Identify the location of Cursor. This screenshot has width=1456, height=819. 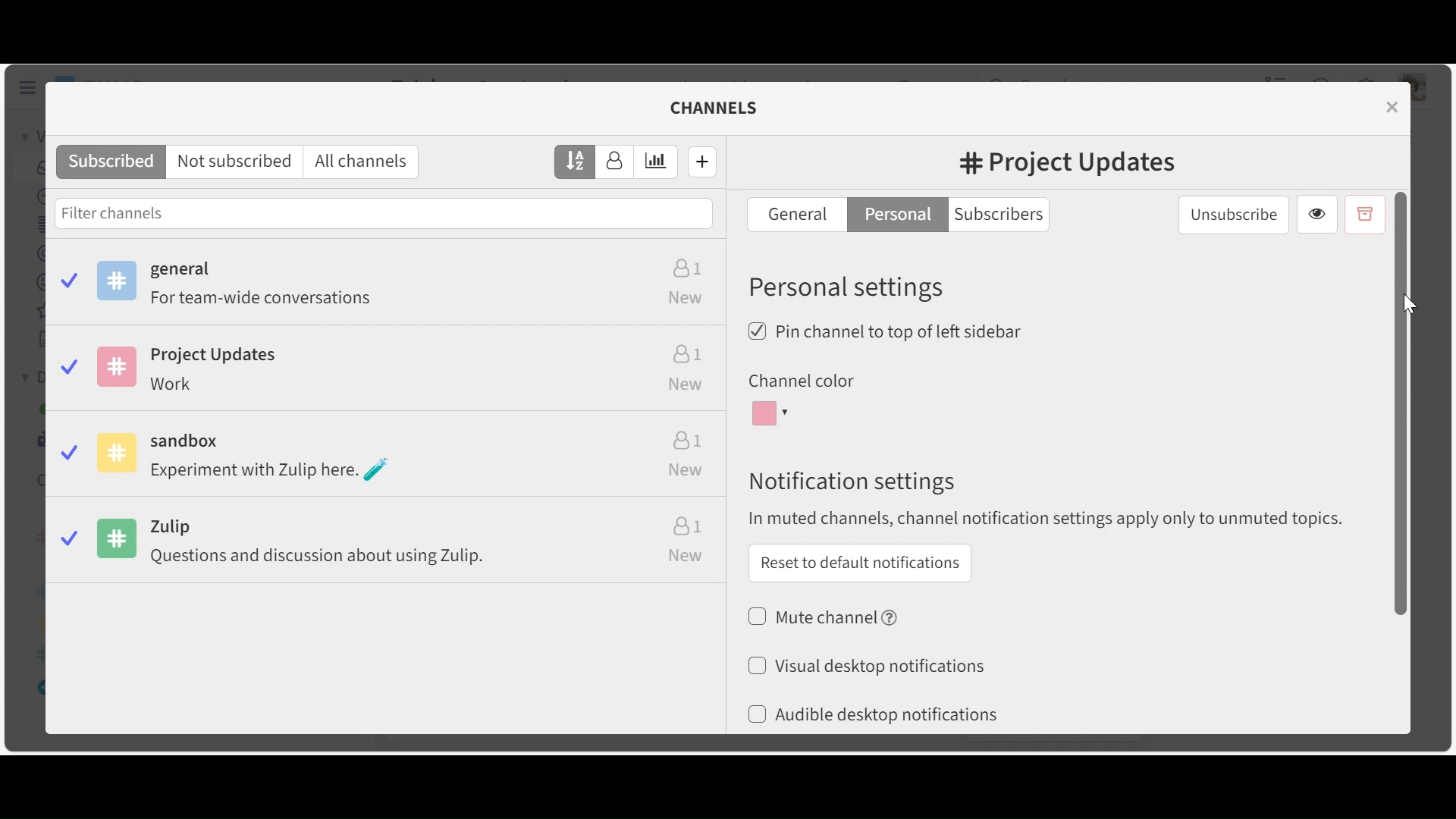
(1423, 301).